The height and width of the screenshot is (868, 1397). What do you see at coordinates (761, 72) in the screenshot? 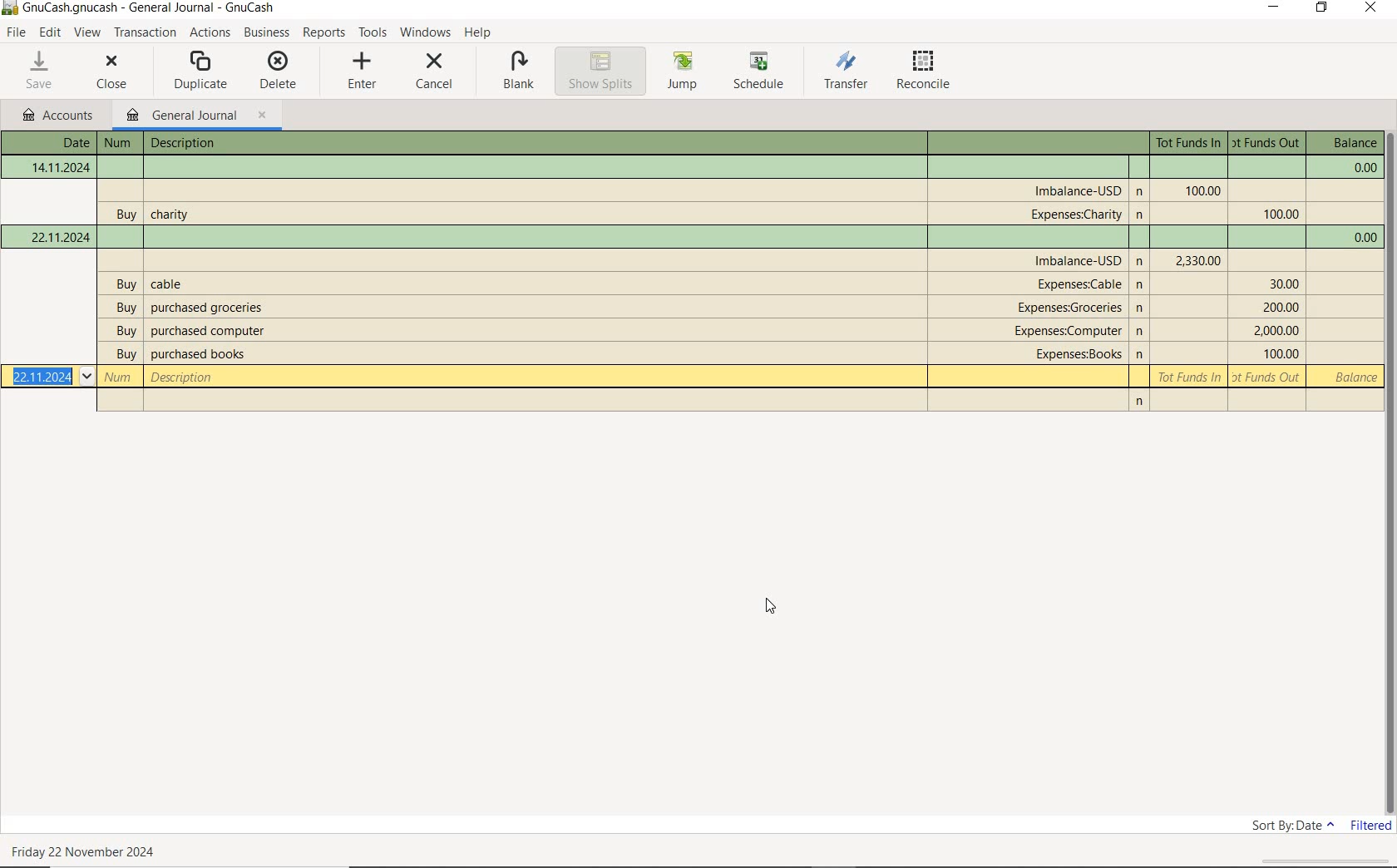
I see `SCHEDULE` at bounding box center [761, 72].